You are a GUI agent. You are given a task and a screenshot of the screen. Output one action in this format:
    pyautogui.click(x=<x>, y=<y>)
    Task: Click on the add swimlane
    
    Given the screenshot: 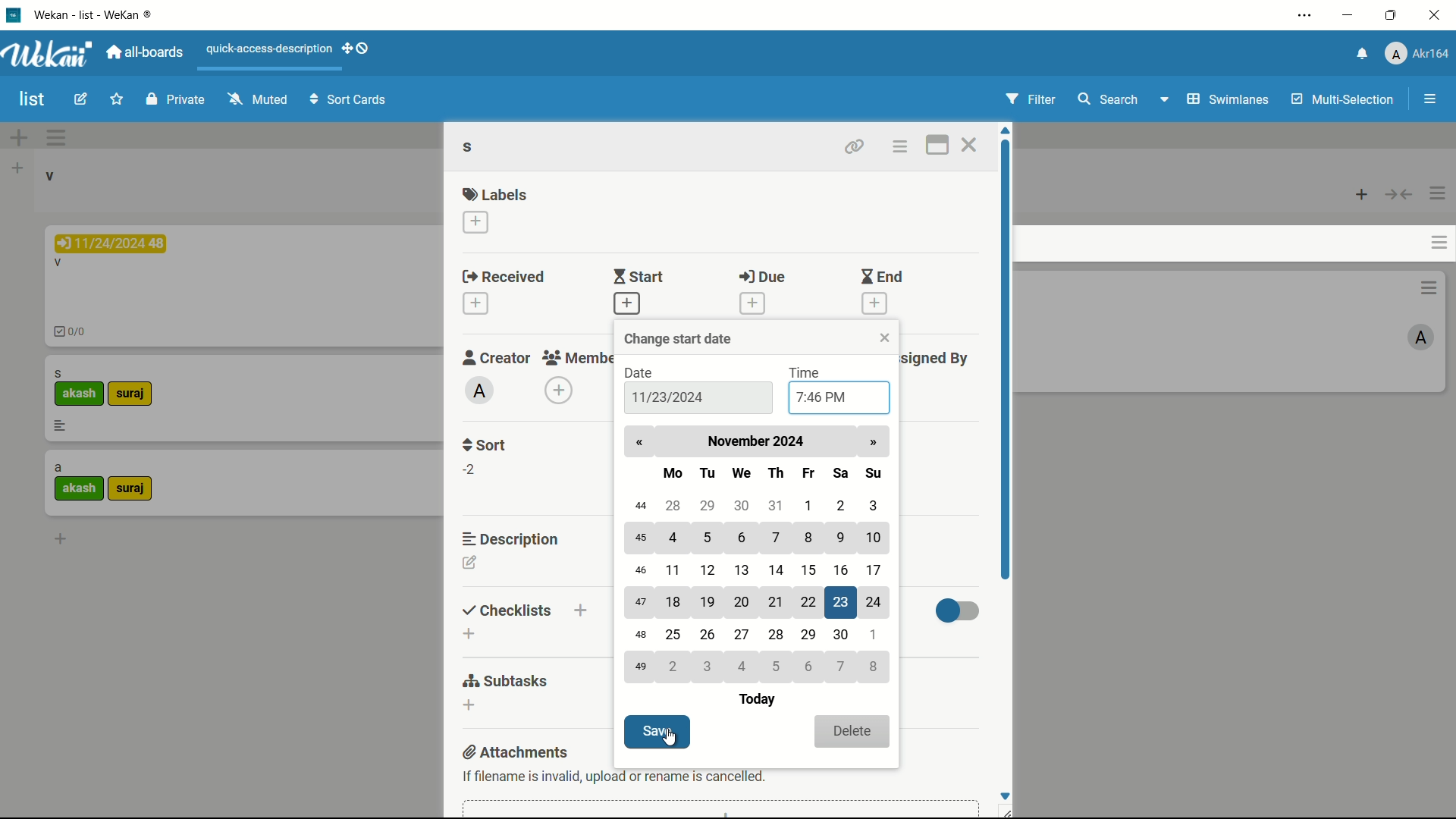 What is the action you would take?
    pyautogui.click(x=19, y=139)
    